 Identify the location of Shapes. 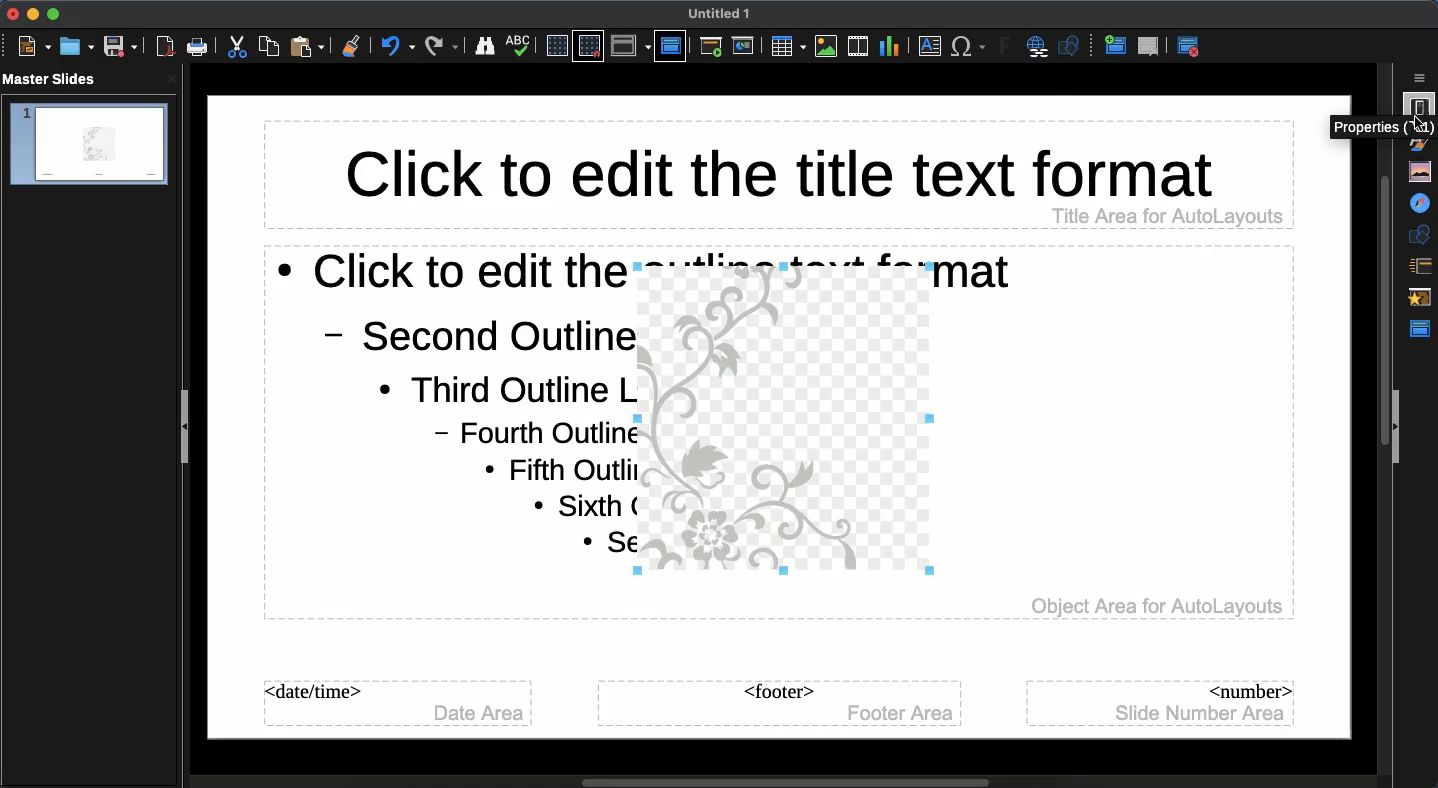
(1422, 234).